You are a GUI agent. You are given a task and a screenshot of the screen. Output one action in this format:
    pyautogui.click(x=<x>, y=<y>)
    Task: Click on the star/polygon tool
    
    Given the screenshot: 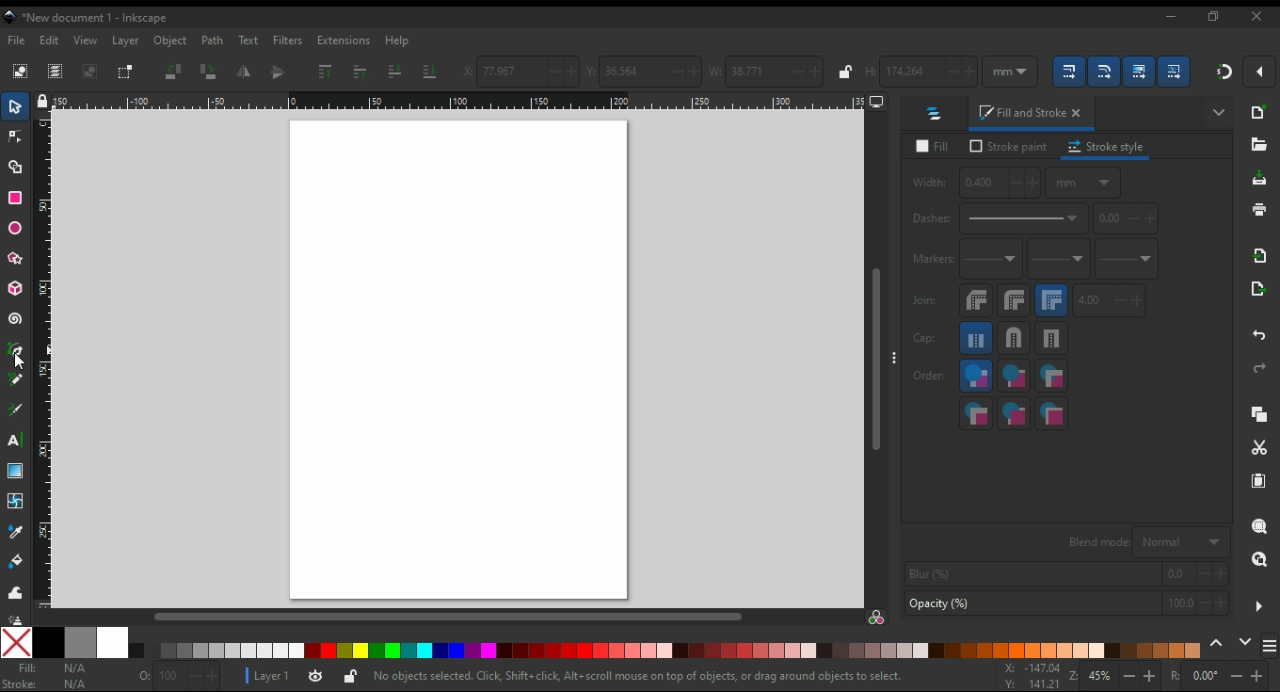 What is the action you would take?
    pyautogui.click(x=17, y=260)
    